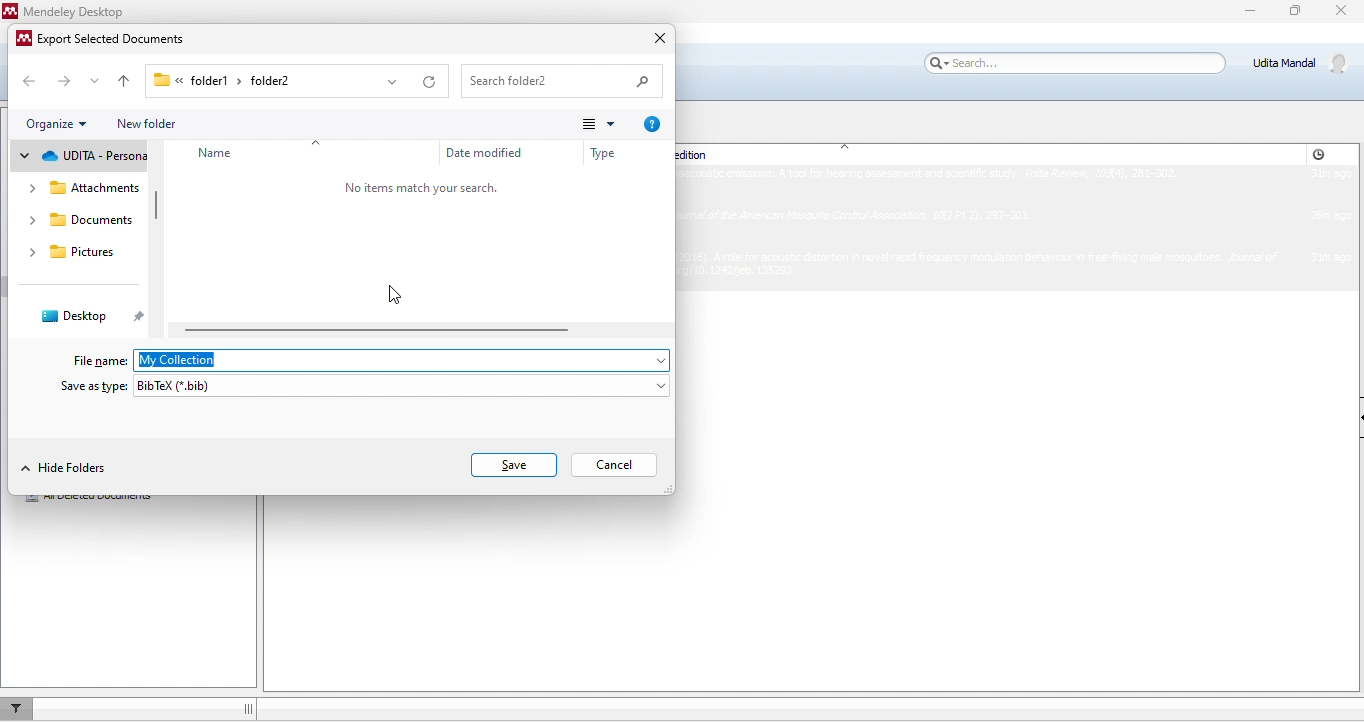 This screenshot has height=722, width=1364. I want to click on forward, so click(61, 79).